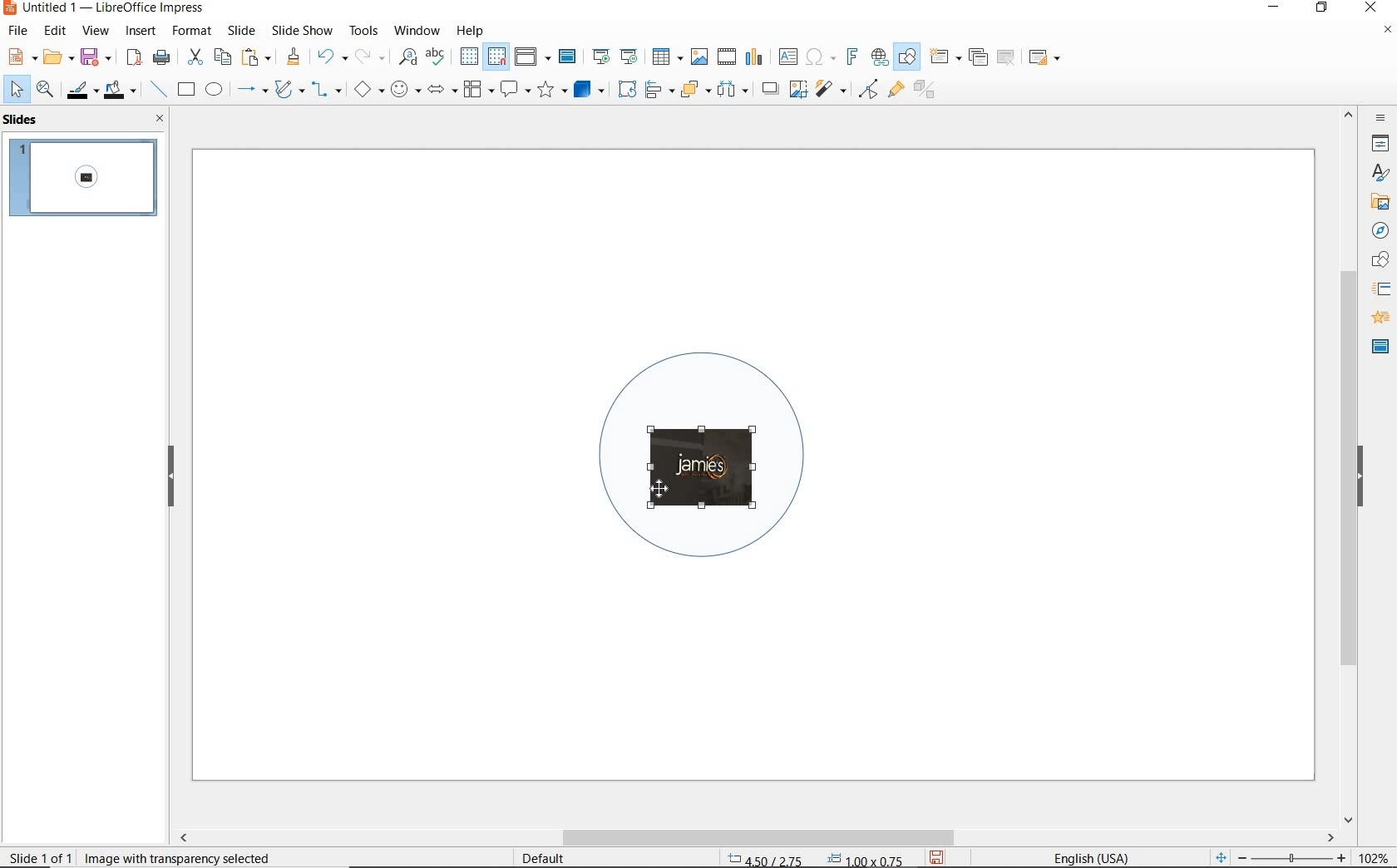  Describe the element at coordinates (369, 57) in the screenshot. I see `redo` at that location.